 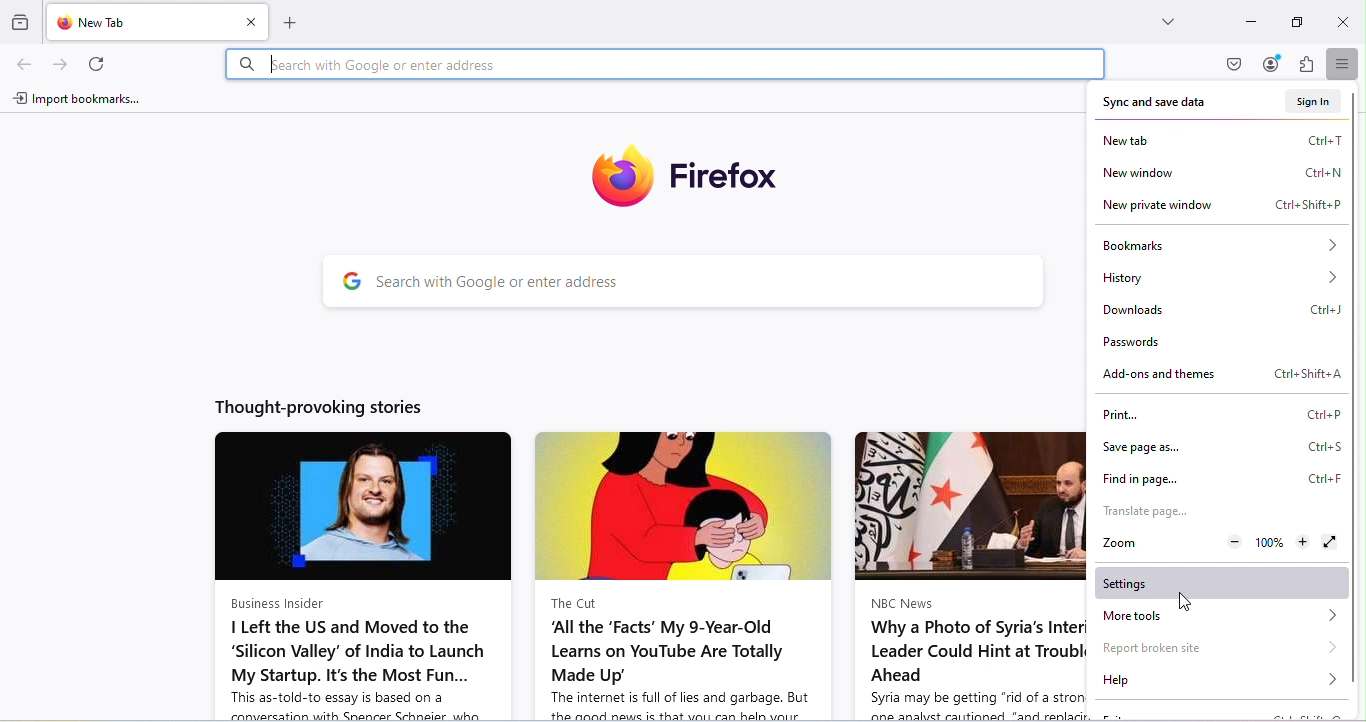 I want to click on New tab, so click(x=1219, y=141).